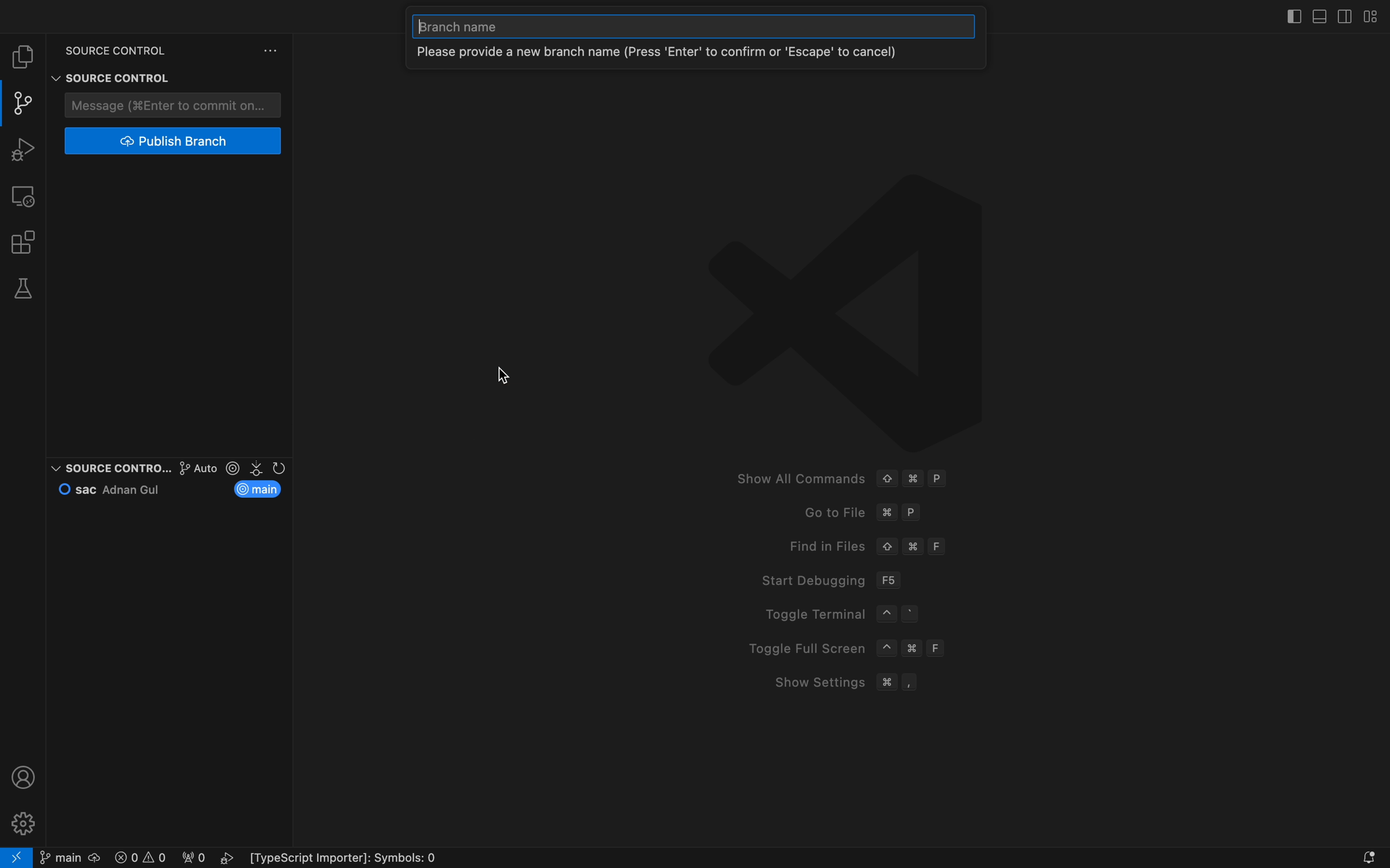 The width and height of the screenshot is (1390, 868). I want to click on file explore, so click(25, 57).